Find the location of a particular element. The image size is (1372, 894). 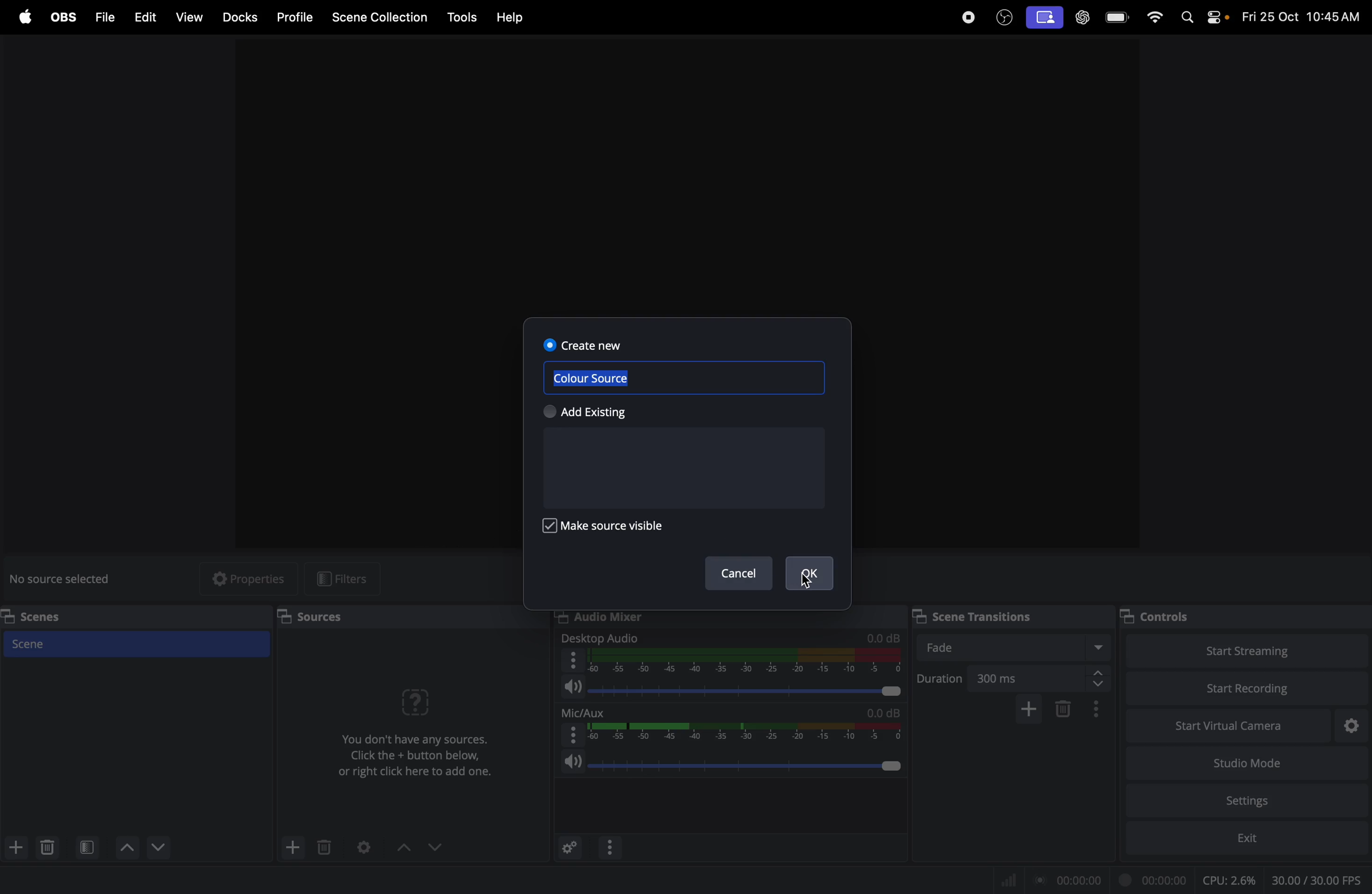

spotlight search is located at coordinates (1186, 20).